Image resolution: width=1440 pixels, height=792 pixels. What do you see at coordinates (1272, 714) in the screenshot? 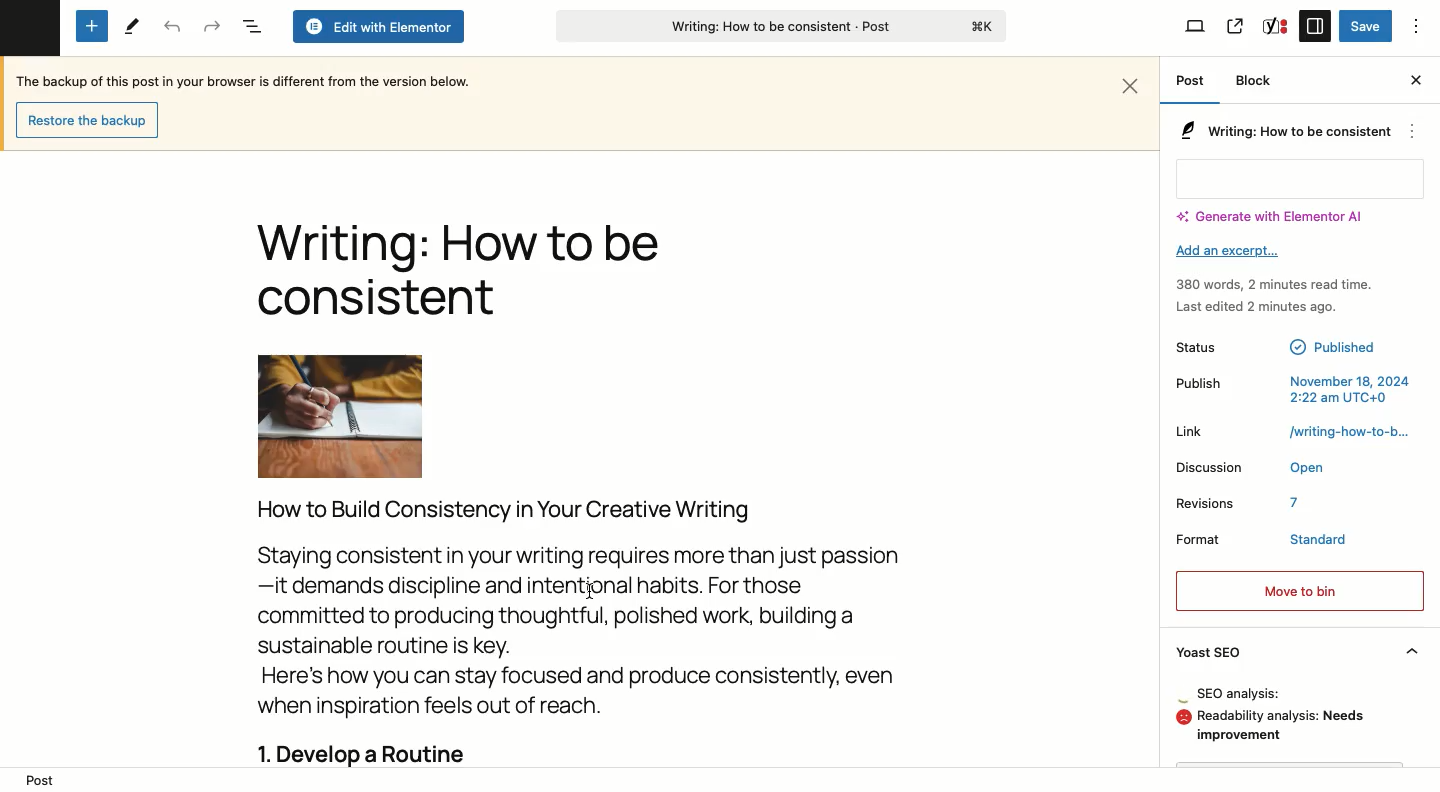
I see `Analysis` at bounding box center [1272, 714].